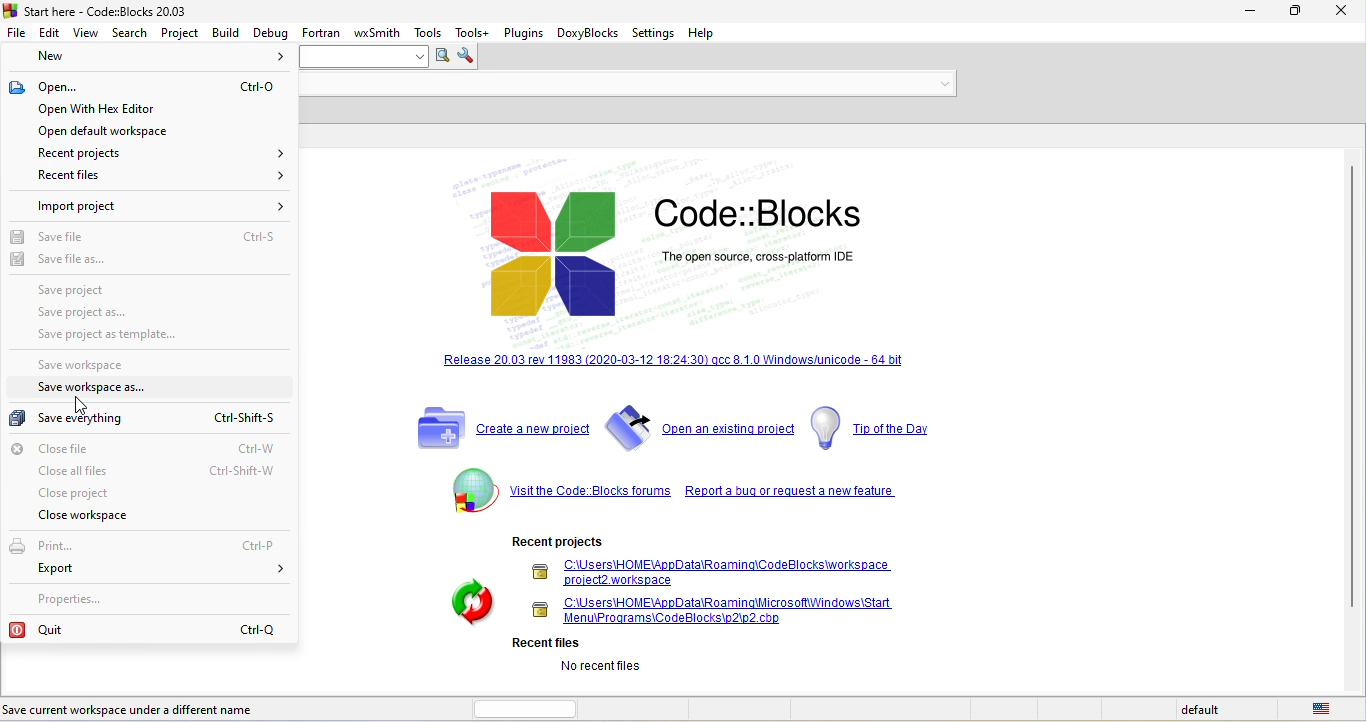 This screenshot has width=1366, height=722. Describe the element at coordinates (321, 31) in the screenshot. I see `fortran` at that location.